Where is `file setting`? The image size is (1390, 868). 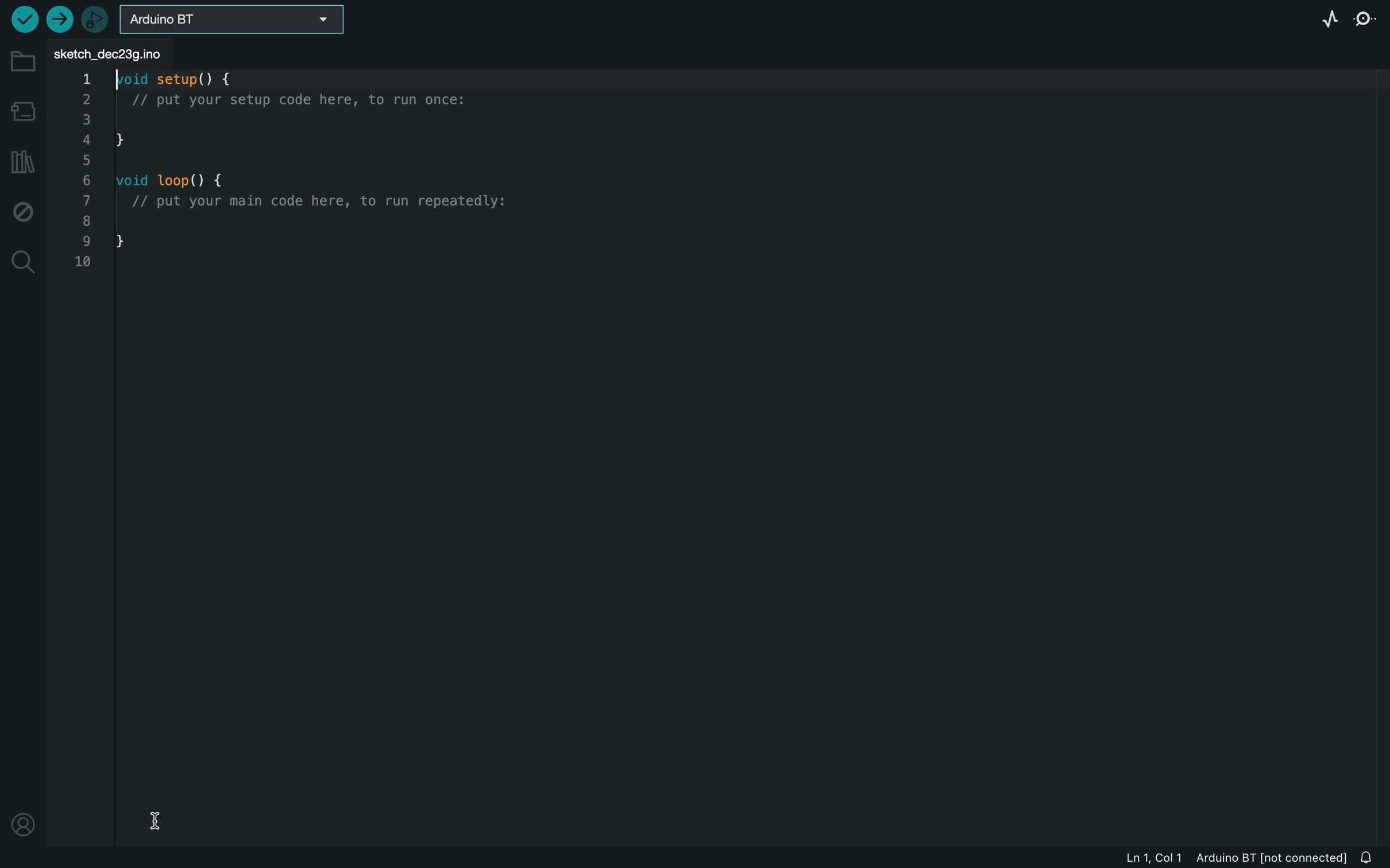 file setting is located at coordinates (1364, 52).